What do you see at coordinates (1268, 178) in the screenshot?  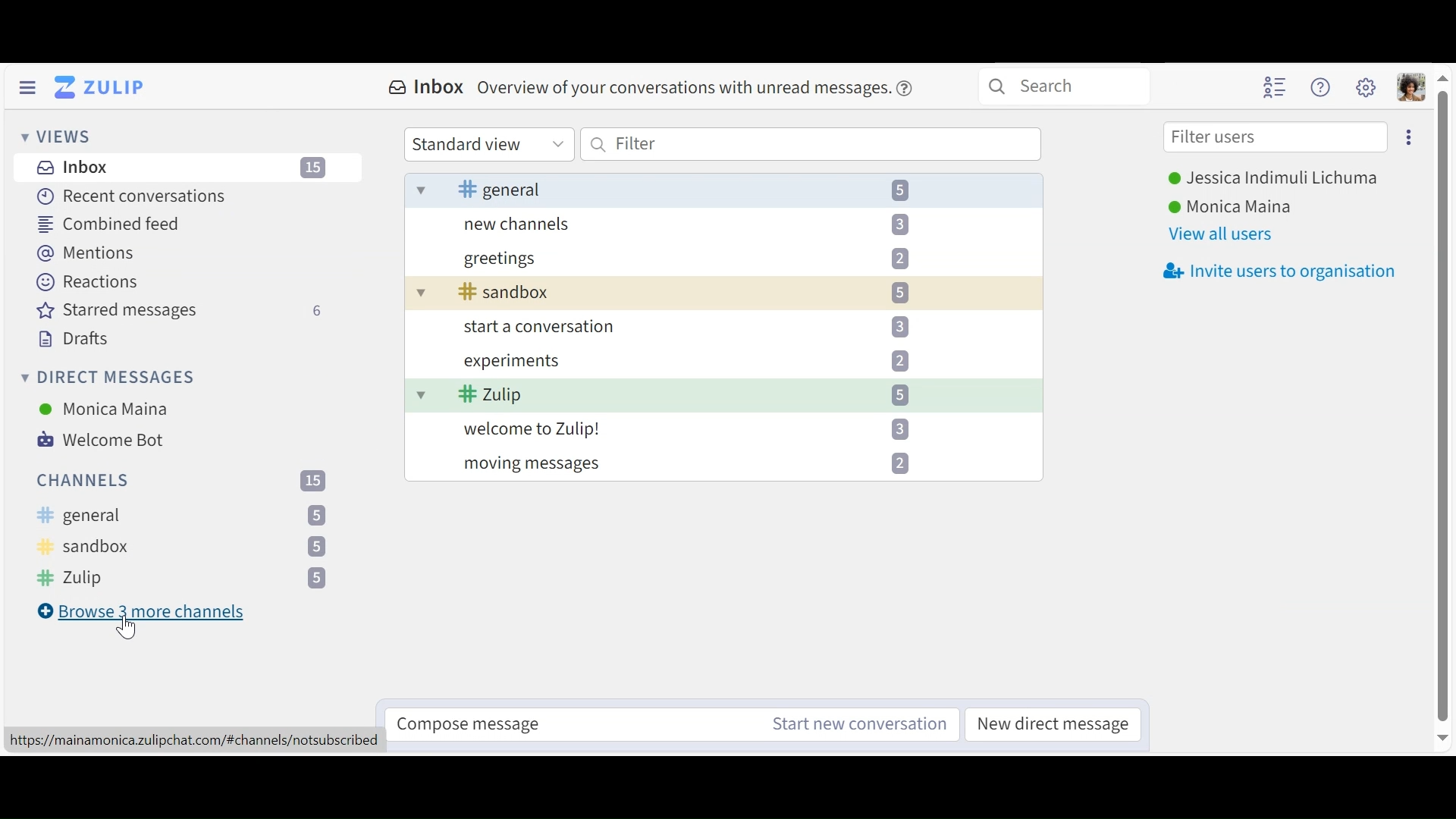 I see `Users` at bounding box center [1268, 178].